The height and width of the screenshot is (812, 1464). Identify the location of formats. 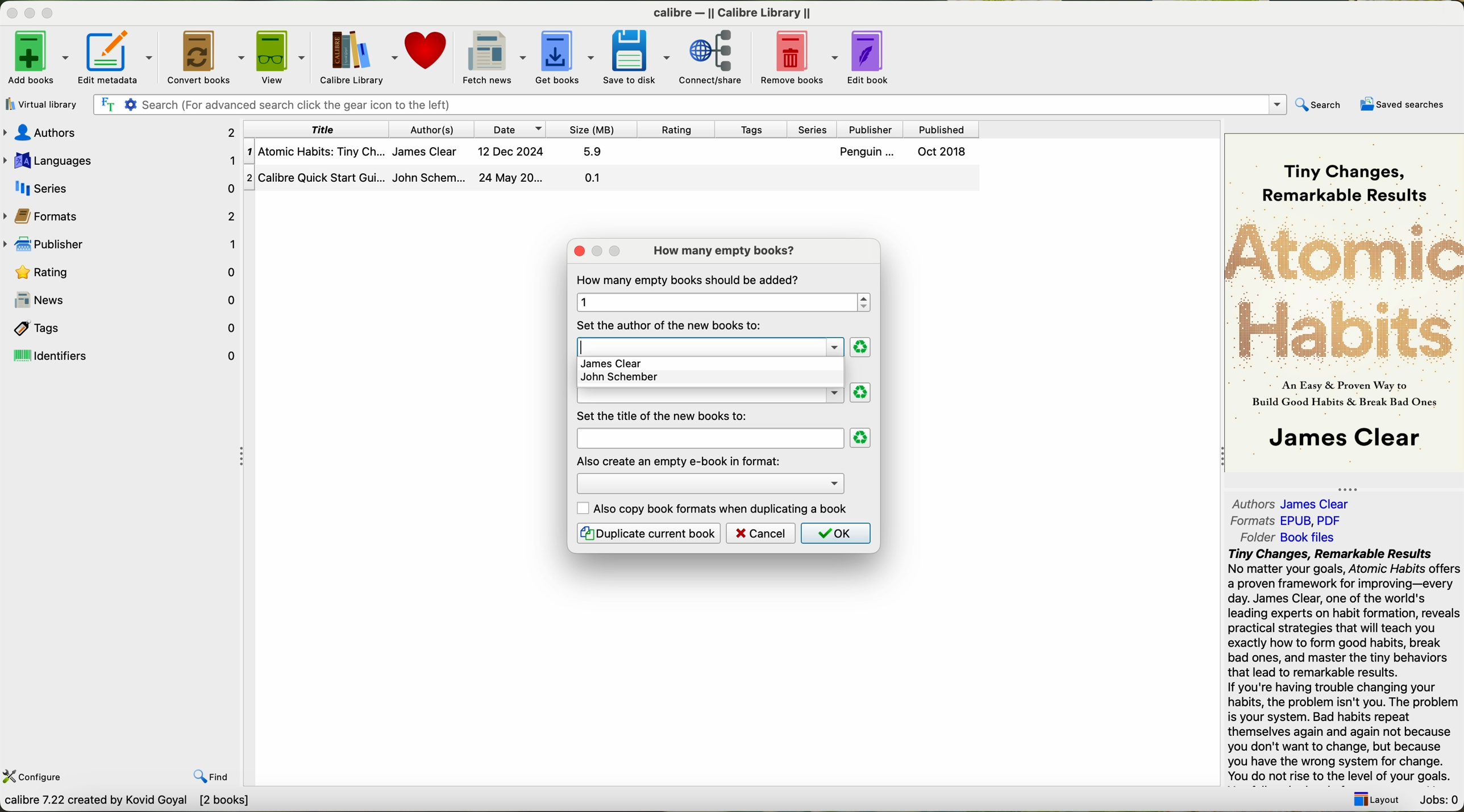
(1287, 520).